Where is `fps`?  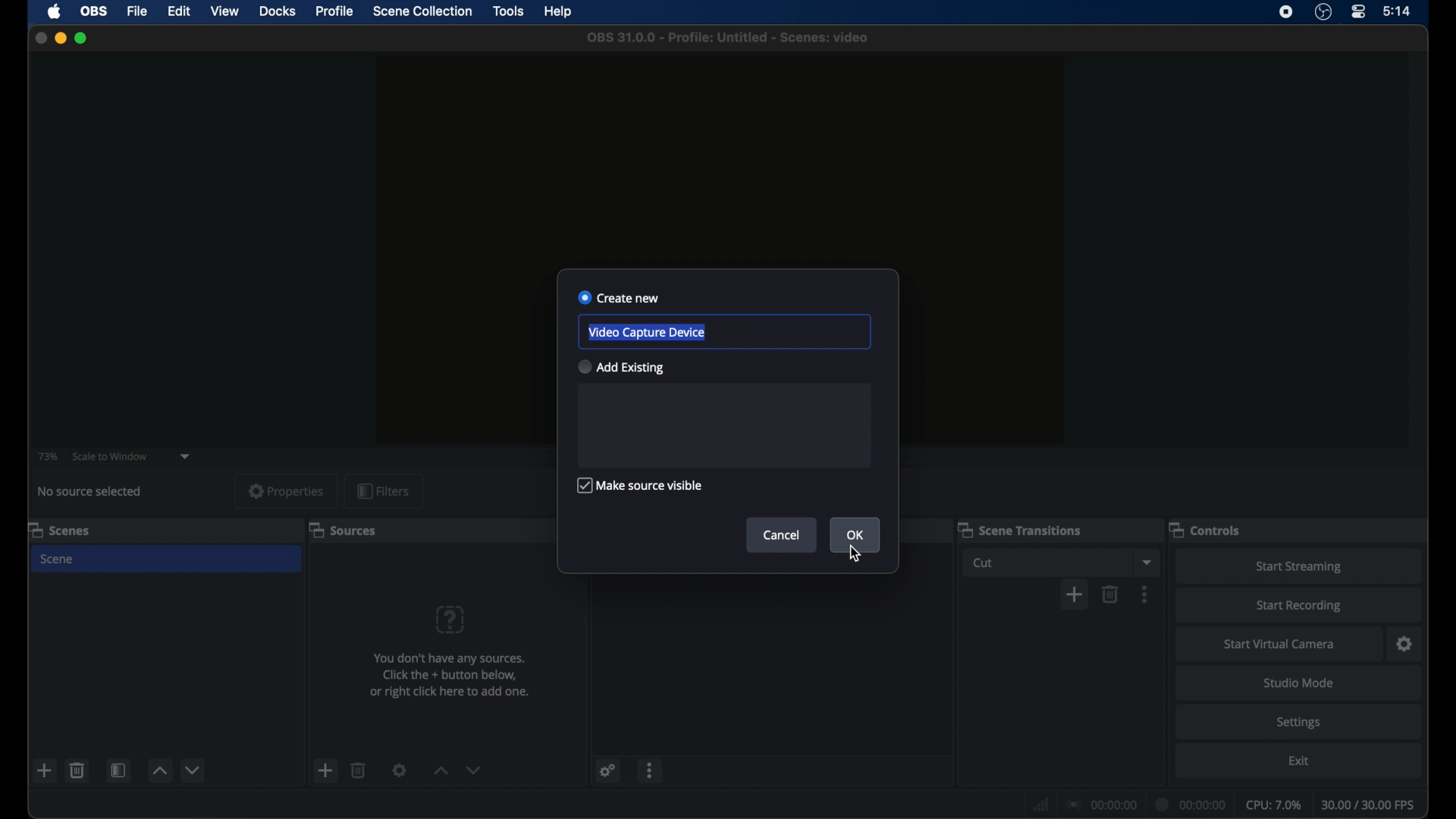 fps is located at coordinates (1370, 805).